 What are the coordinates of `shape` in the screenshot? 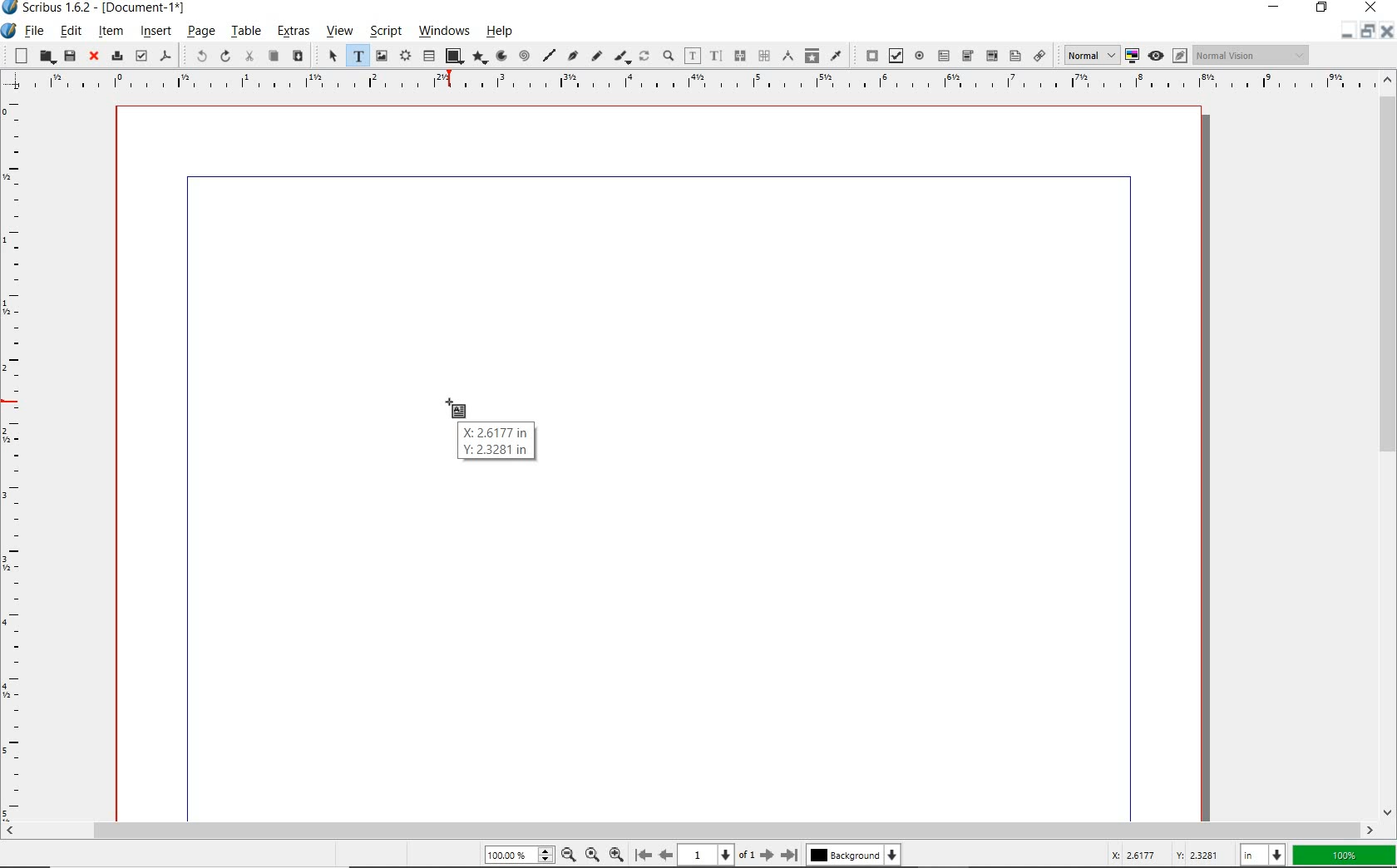 It's located at (453, 55).